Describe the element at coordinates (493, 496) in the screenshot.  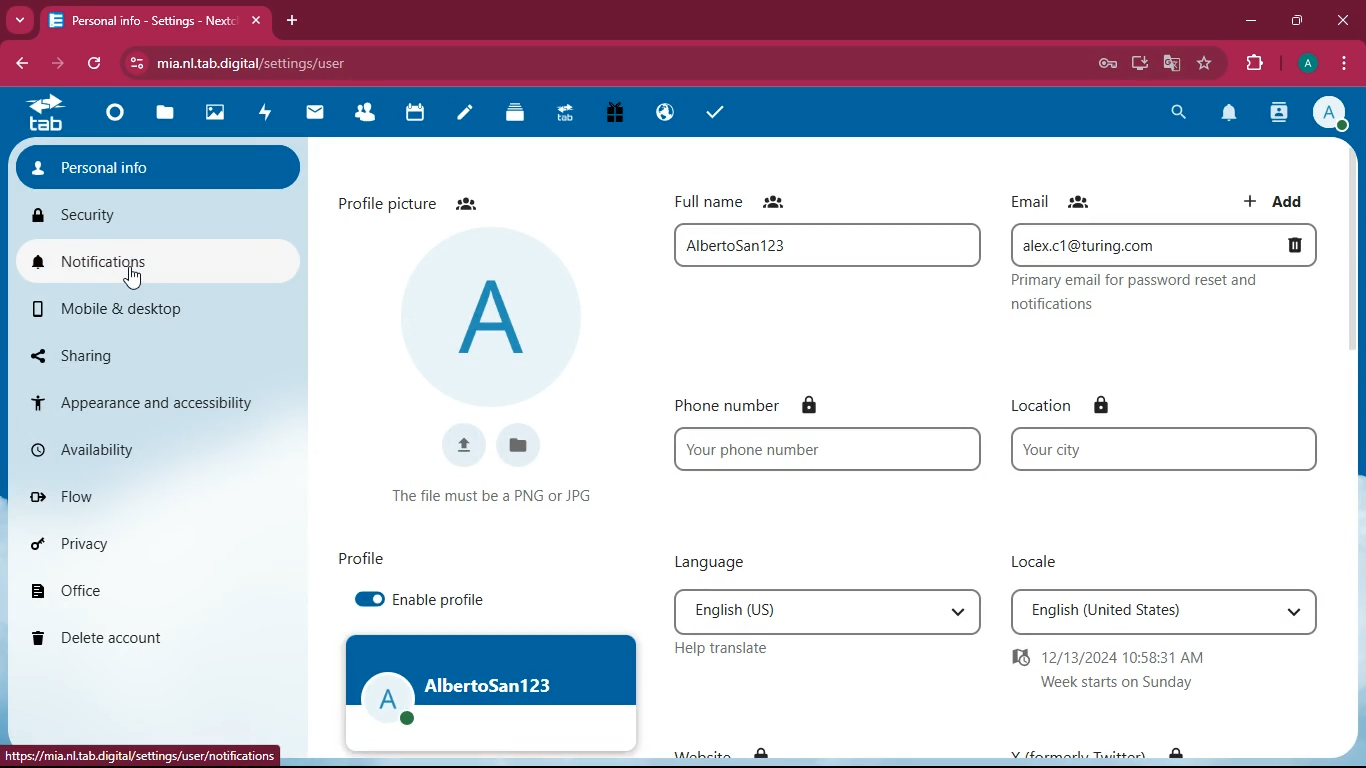
I see `The file must be a PNG or JPG` at that location.